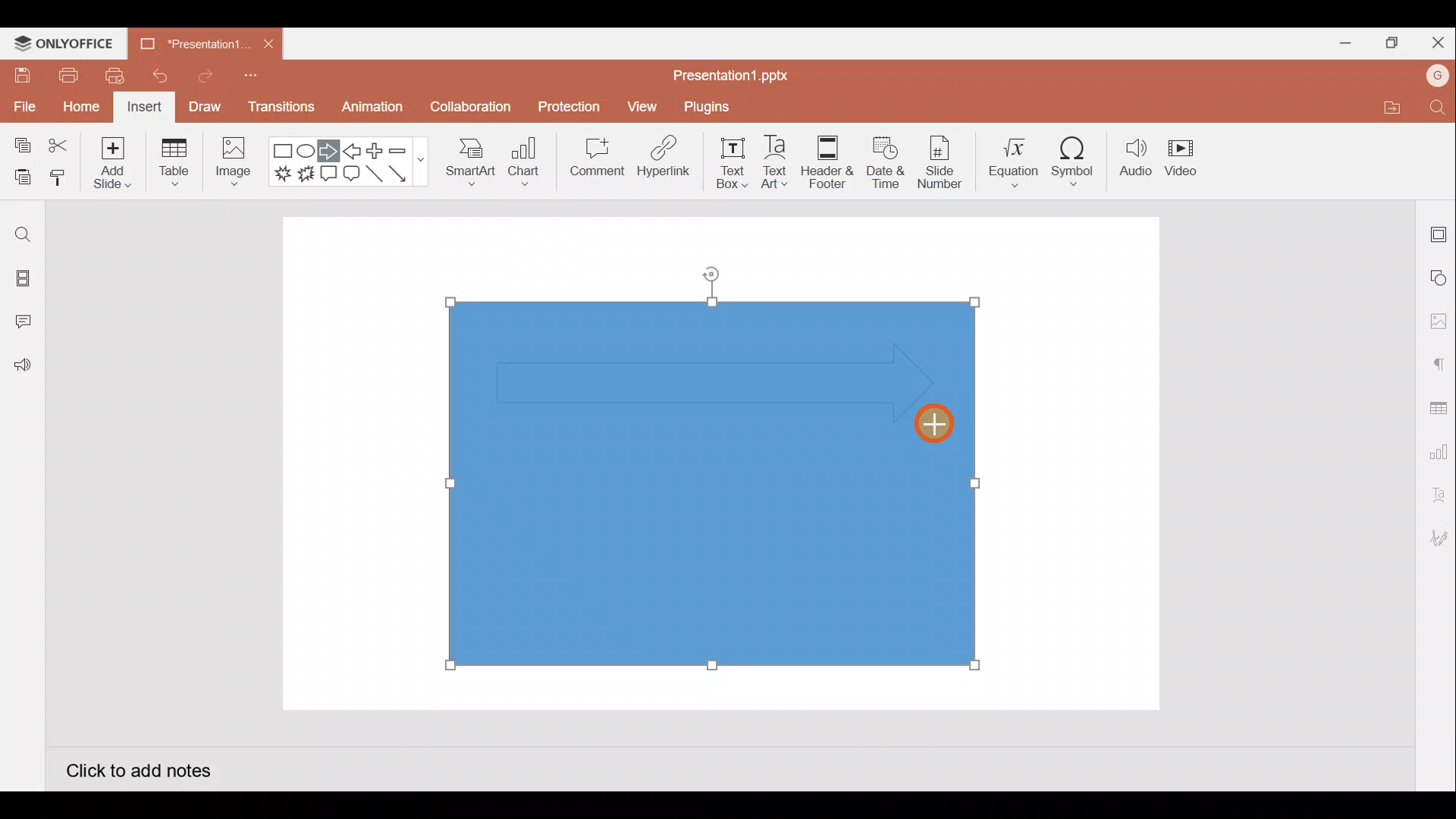 The image size is (1456, 819). Describe the element at coordinates (23, 104) in the screenshot. I see `File` at that location.